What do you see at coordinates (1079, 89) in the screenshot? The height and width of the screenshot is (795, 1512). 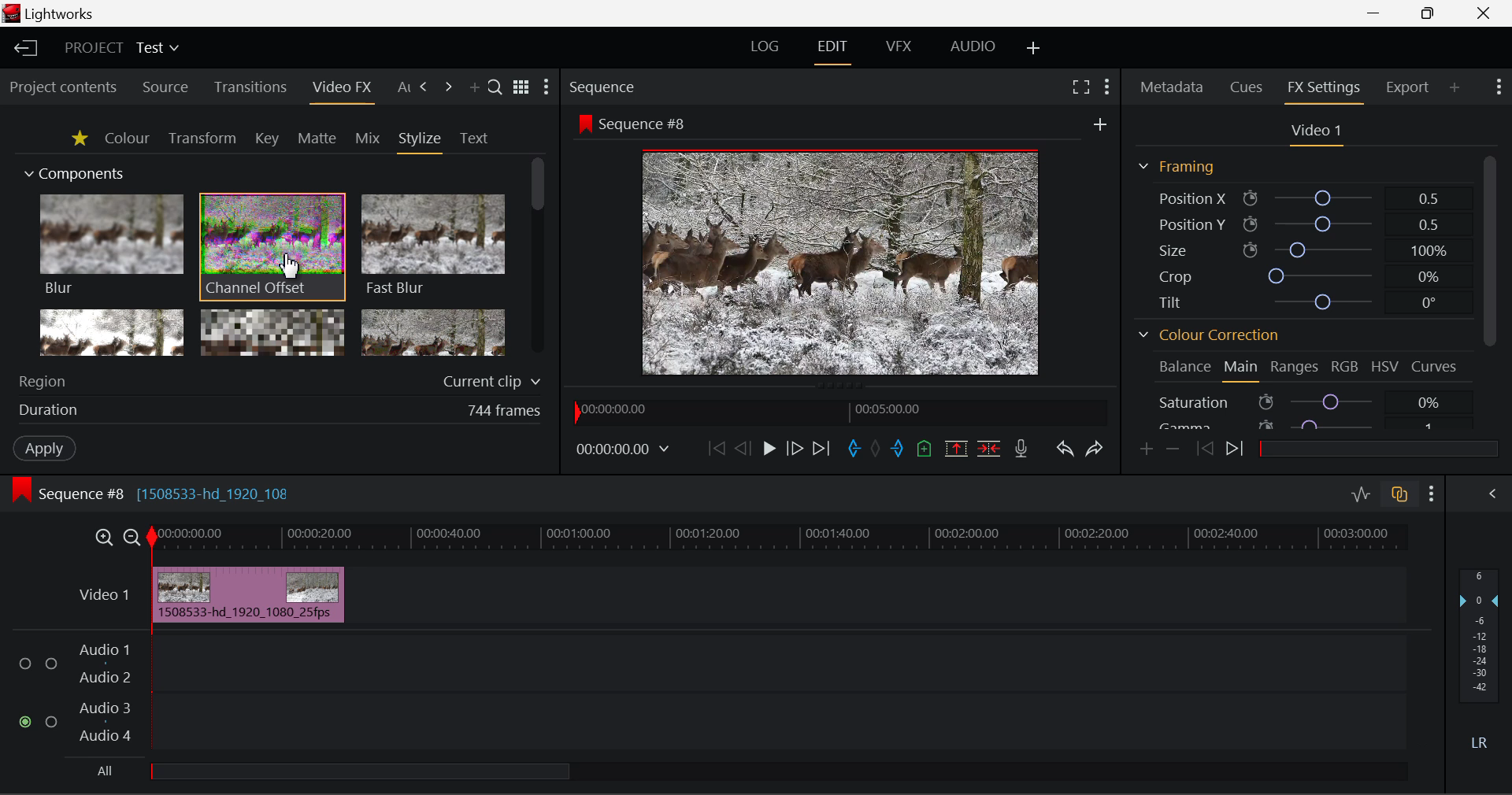 I see `Full Screen` at bounding box center [1079, 89].